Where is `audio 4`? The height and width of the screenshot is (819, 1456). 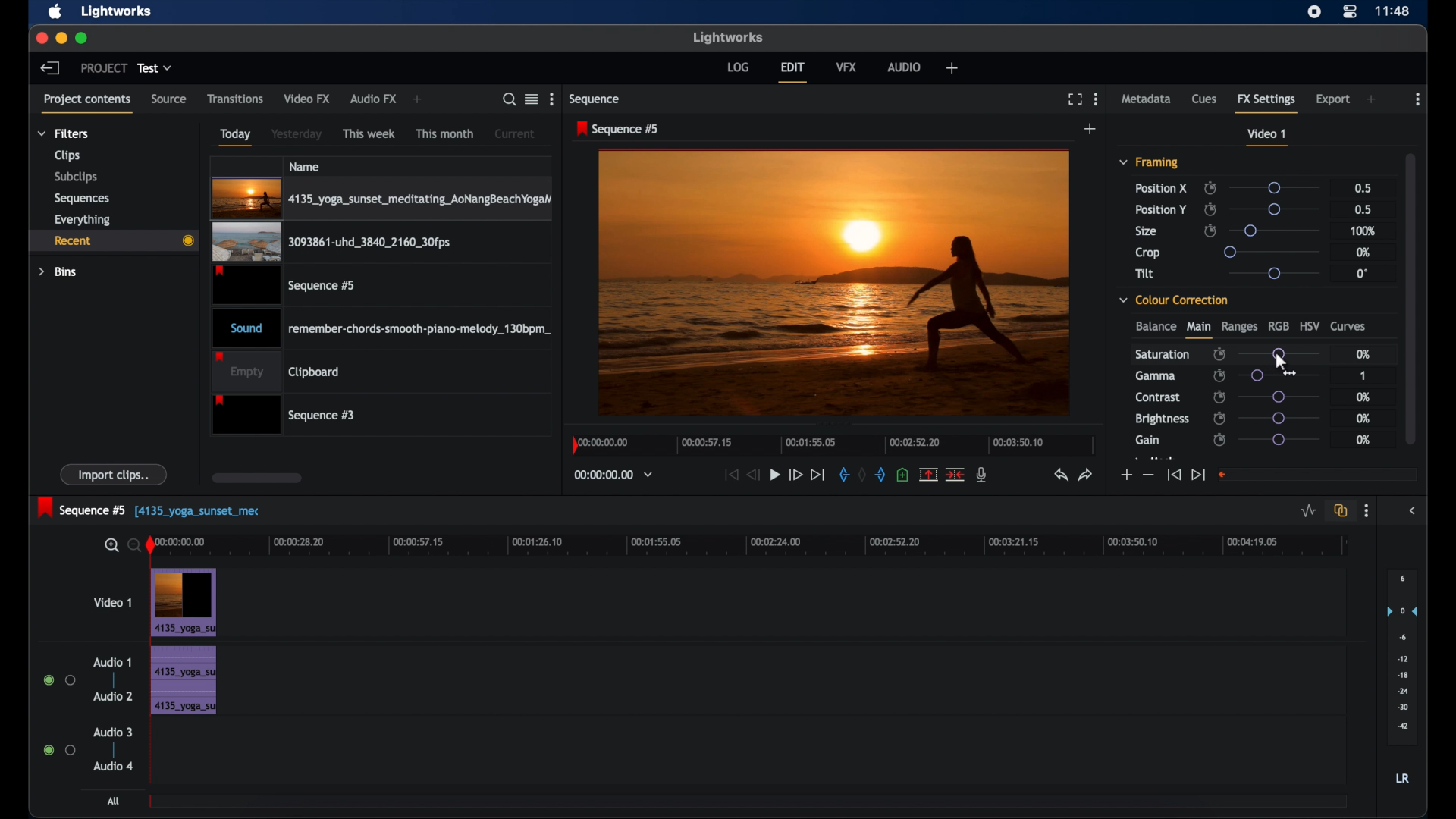
audio 4 is located at coordinates (112, 765).